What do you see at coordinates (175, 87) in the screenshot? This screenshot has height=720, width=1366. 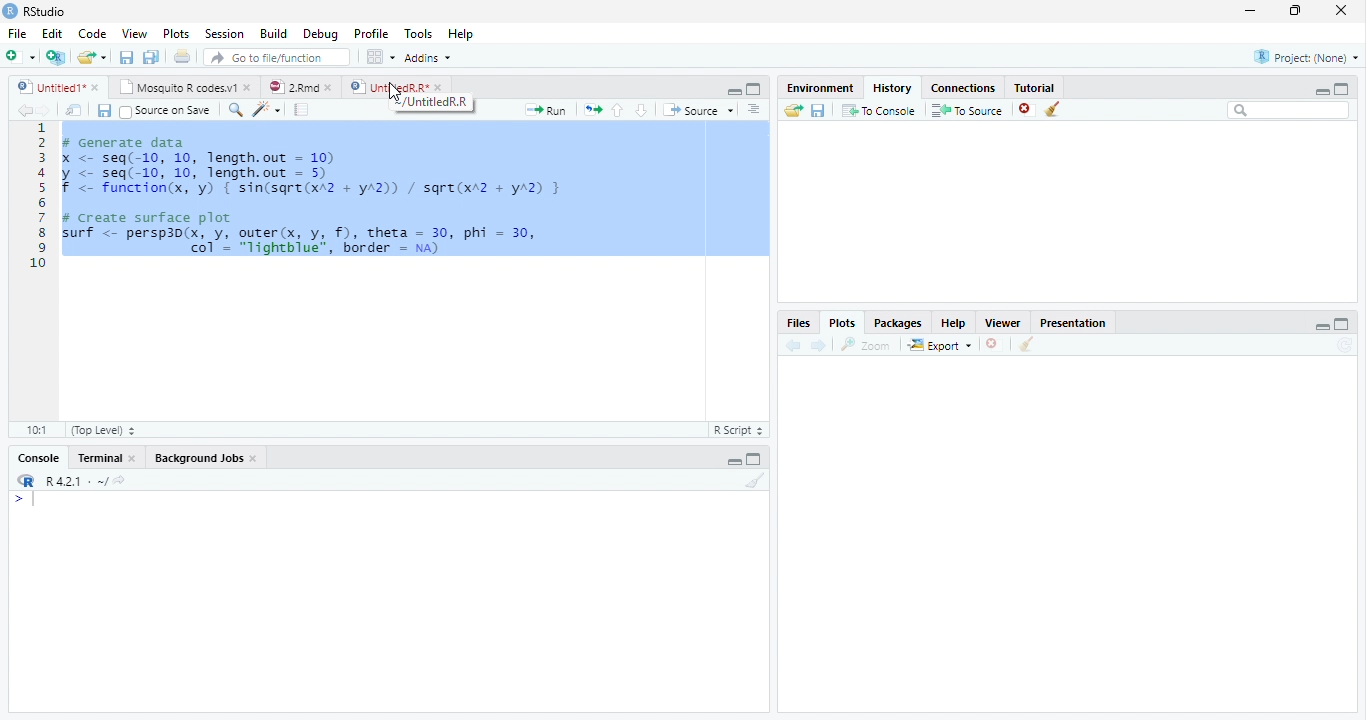 I see `Mosquito R codes.v1` at bounding box center [175, 87].